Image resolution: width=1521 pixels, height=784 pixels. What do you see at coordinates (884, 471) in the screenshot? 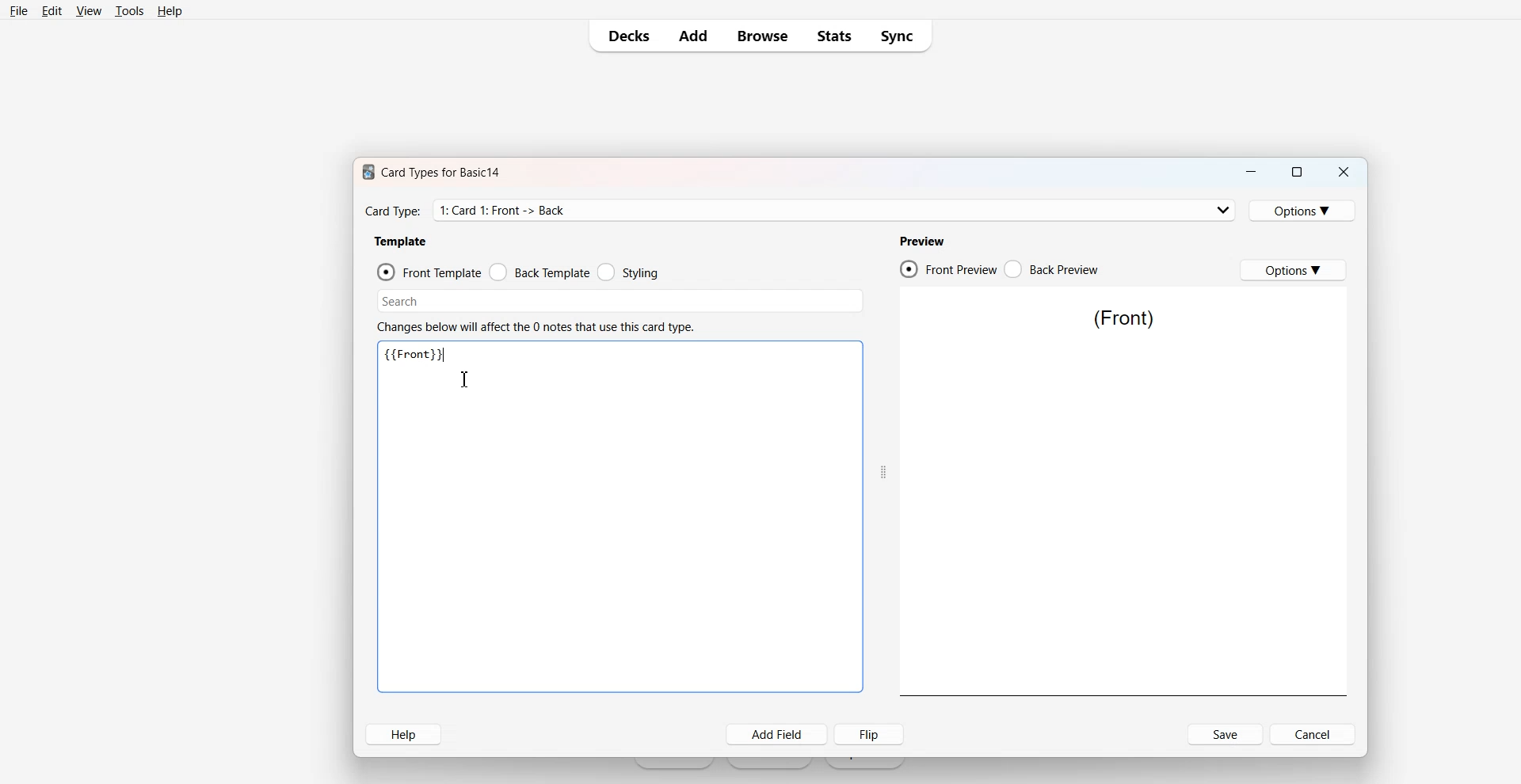
I see `Drag handle` at bounding box center [884, 471].